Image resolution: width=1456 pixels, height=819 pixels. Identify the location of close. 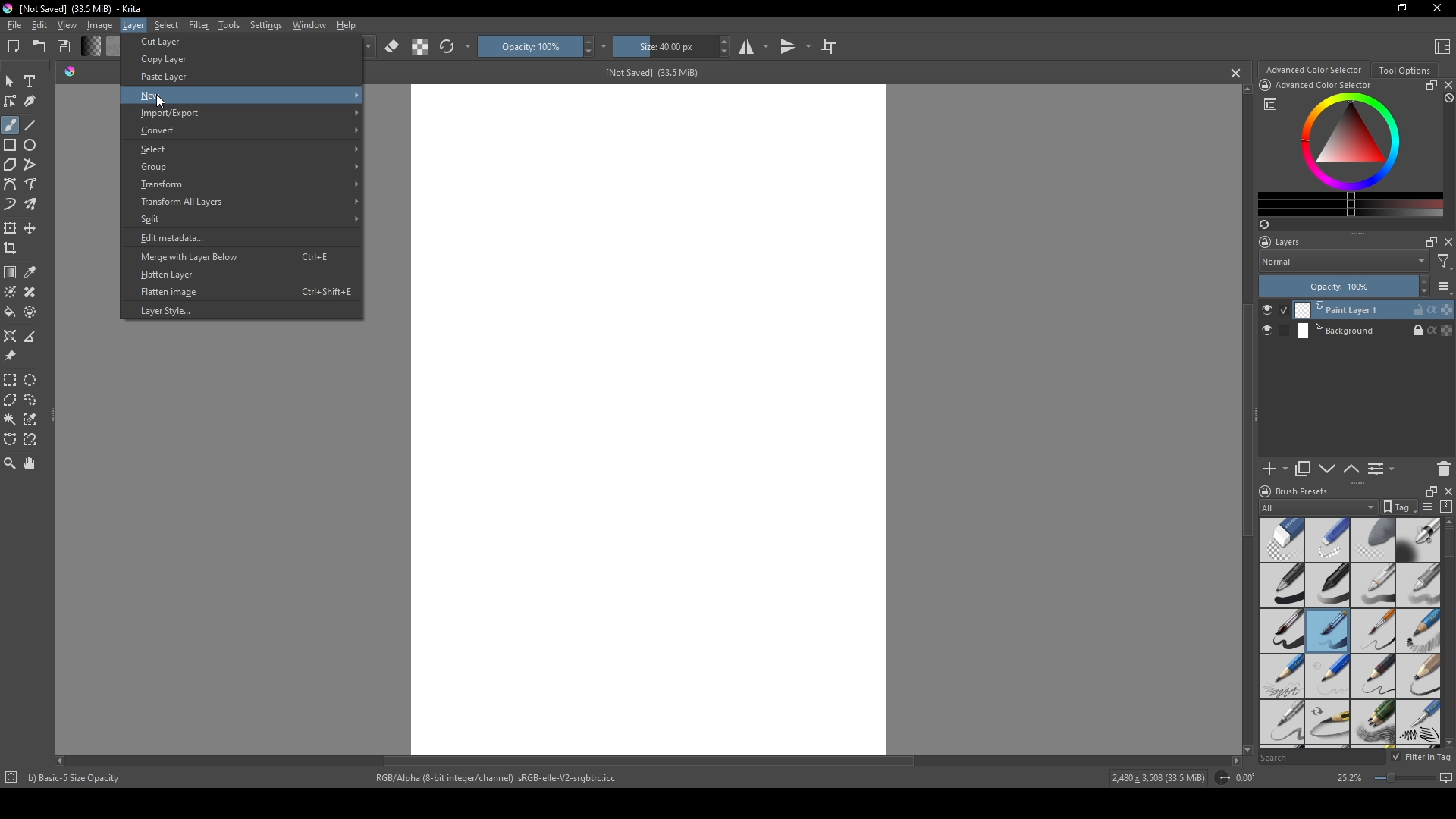
(1447, 85).